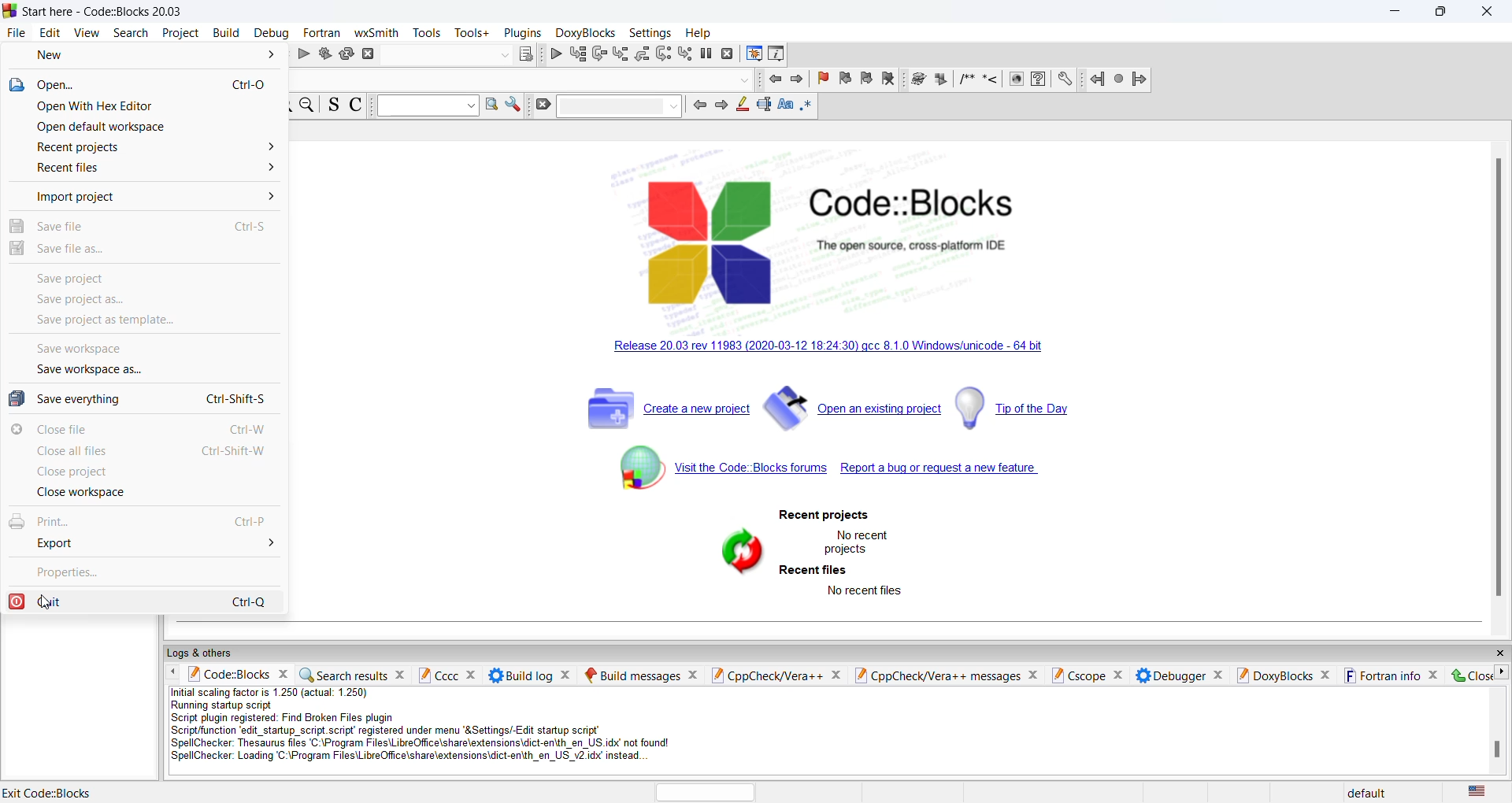 The image size is (1512, 803). I want to click on toggle comments, so click(358, 106).